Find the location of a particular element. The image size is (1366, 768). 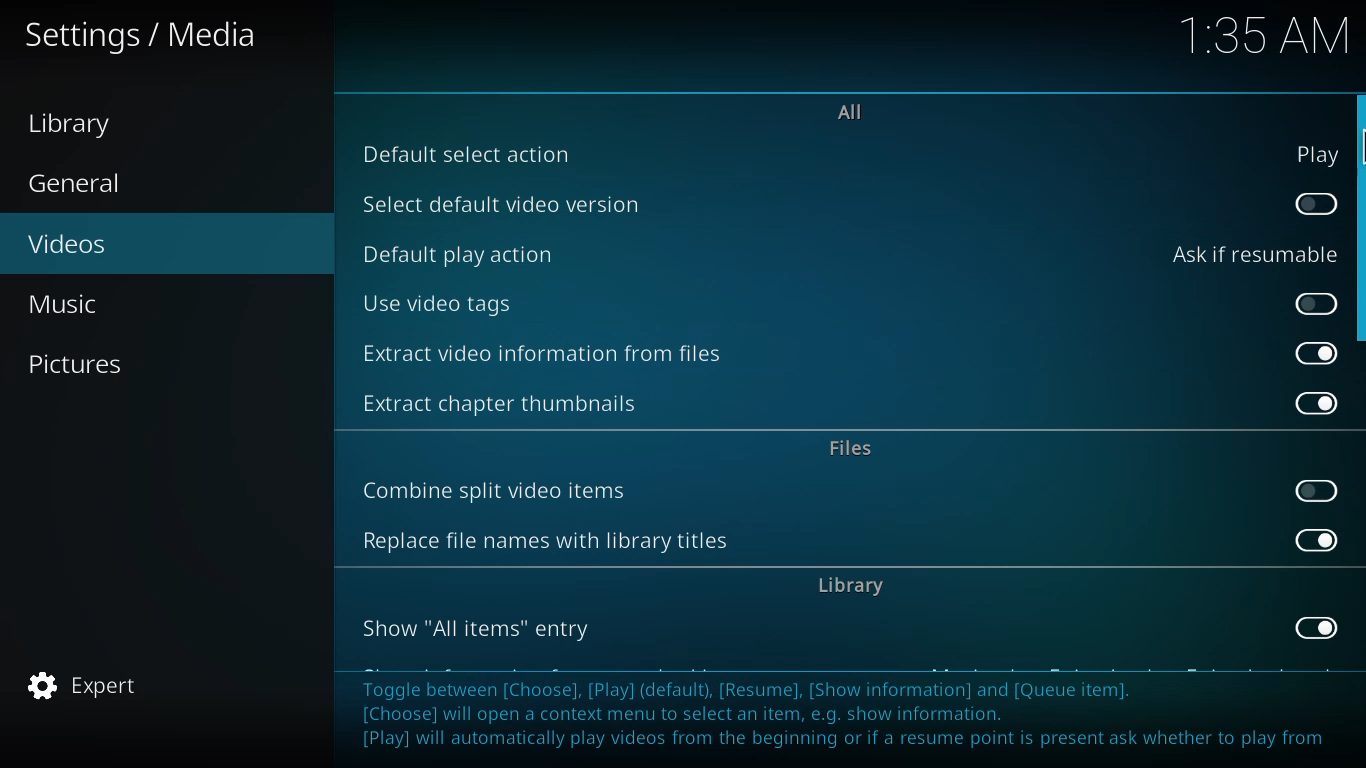

enabled is located at coordinates (1316, 405).